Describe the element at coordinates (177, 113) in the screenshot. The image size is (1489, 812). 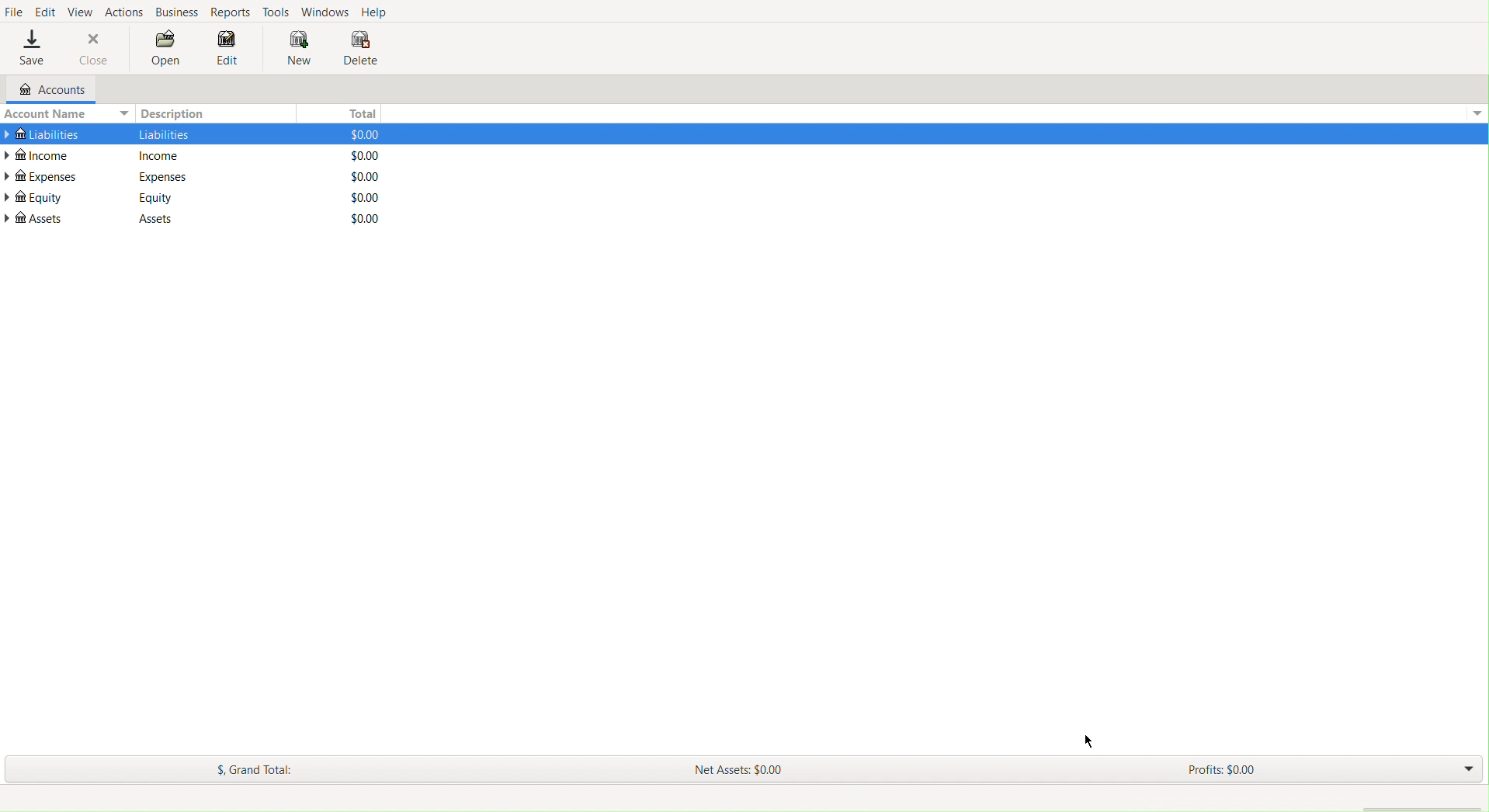
I see `Description` at that location.